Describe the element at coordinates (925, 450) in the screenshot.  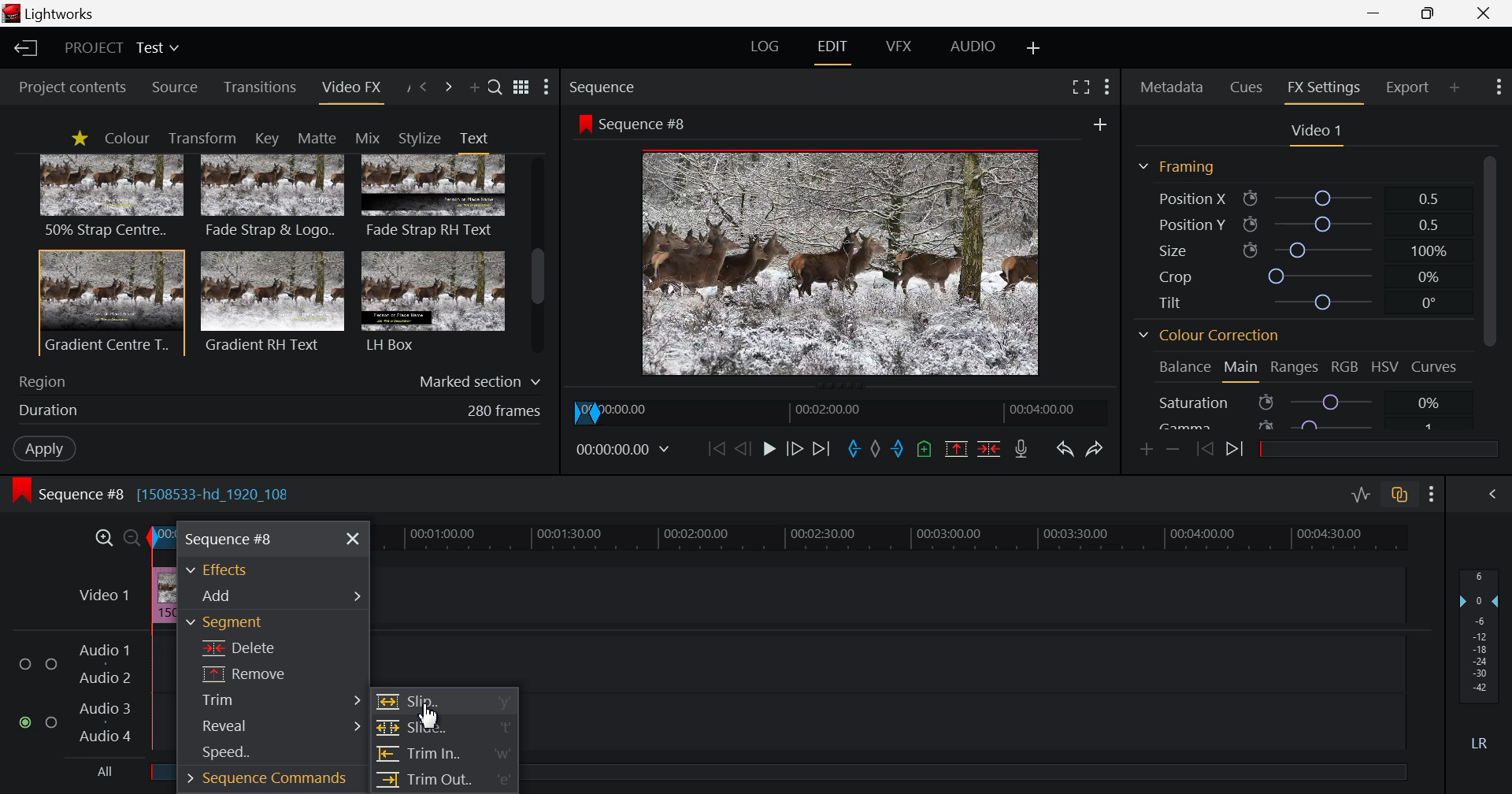
I see `Mark Cue` at that location.